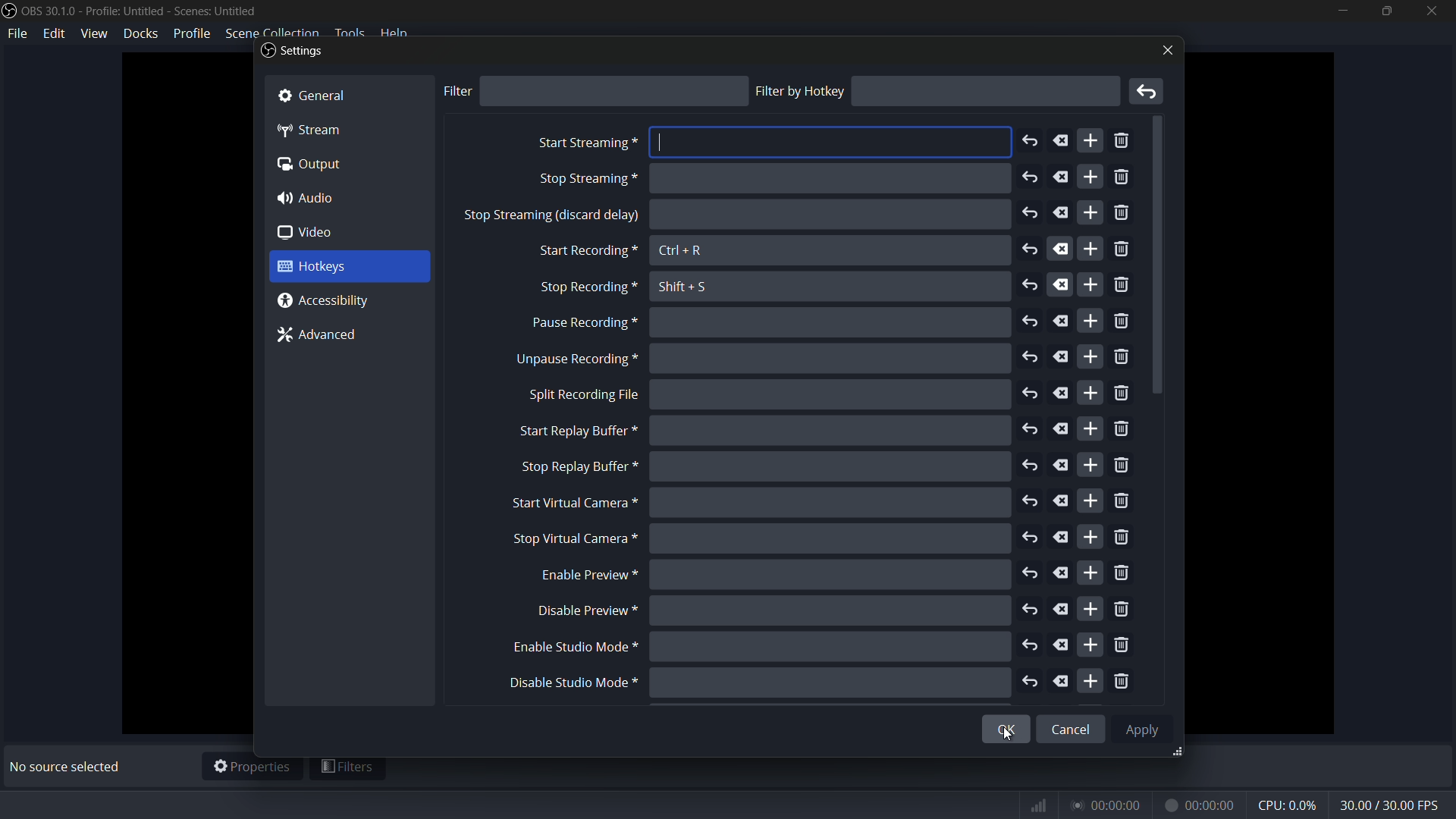  Describe the element at coordinates (1031, 466) in the screenshot. I see `undo` at that location.